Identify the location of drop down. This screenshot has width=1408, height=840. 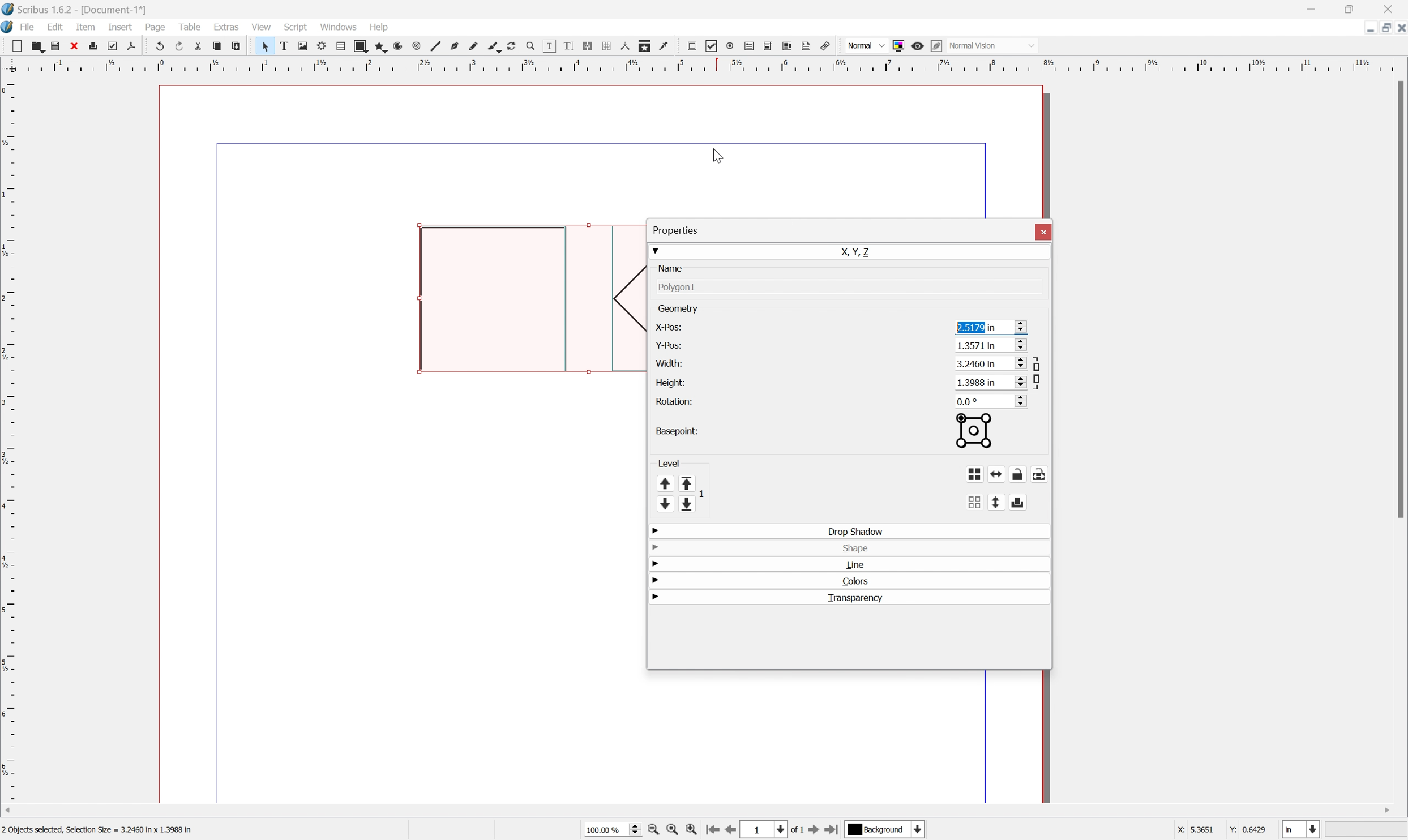
(656, 578).